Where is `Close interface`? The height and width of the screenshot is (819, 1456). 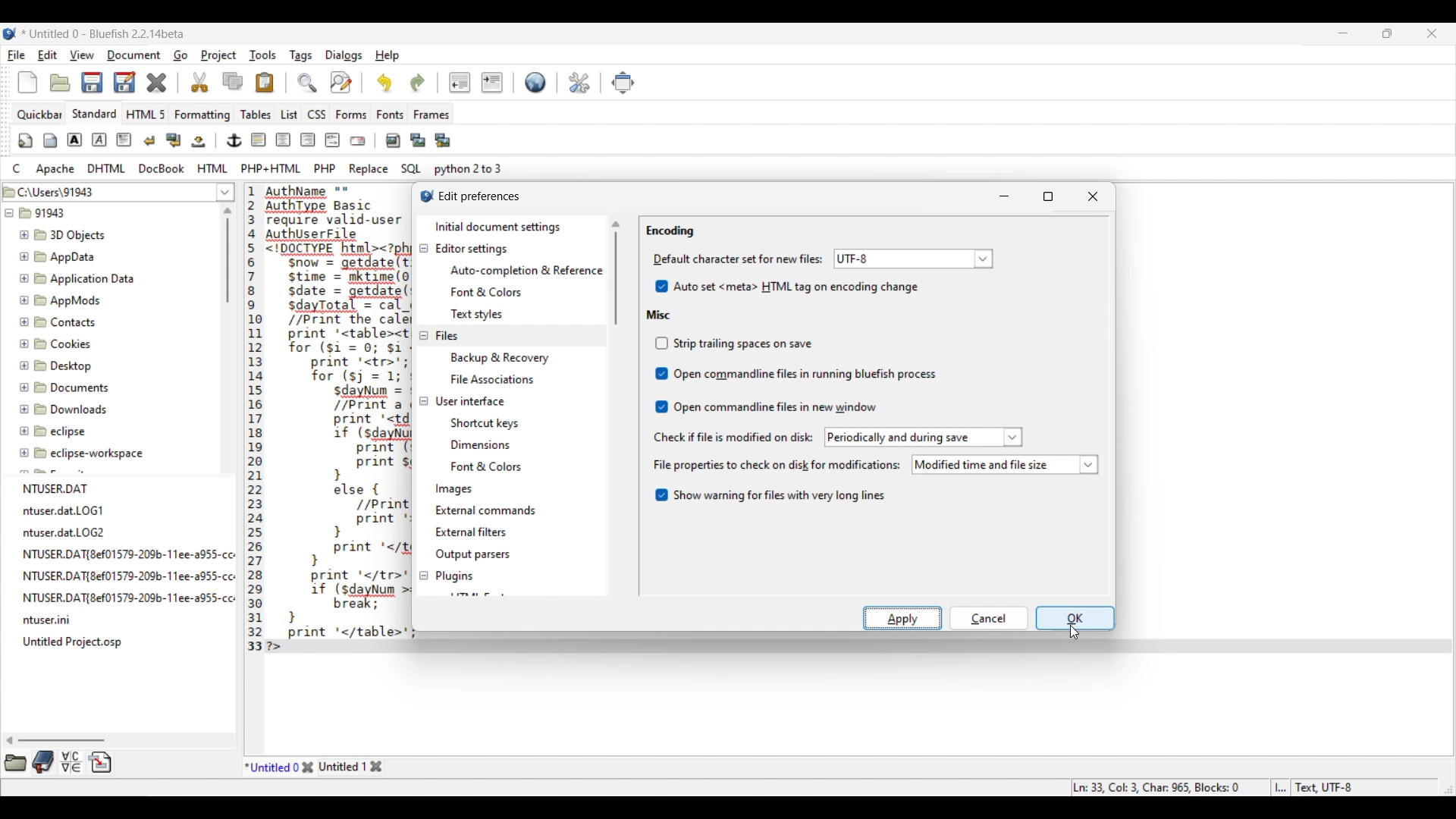
Close interface is located at coordinates (1432, 33).